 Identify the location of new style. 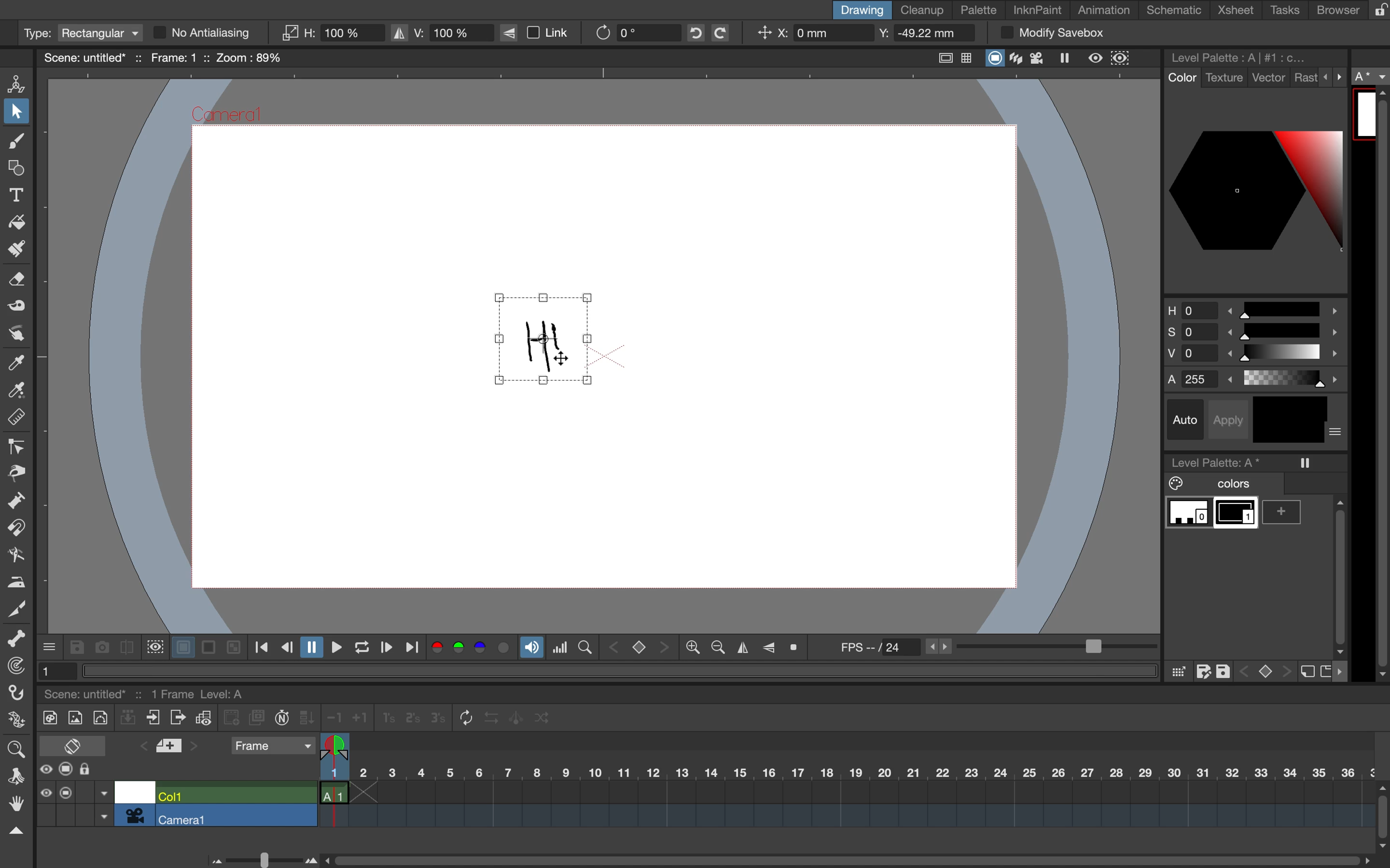
(1306, 672).